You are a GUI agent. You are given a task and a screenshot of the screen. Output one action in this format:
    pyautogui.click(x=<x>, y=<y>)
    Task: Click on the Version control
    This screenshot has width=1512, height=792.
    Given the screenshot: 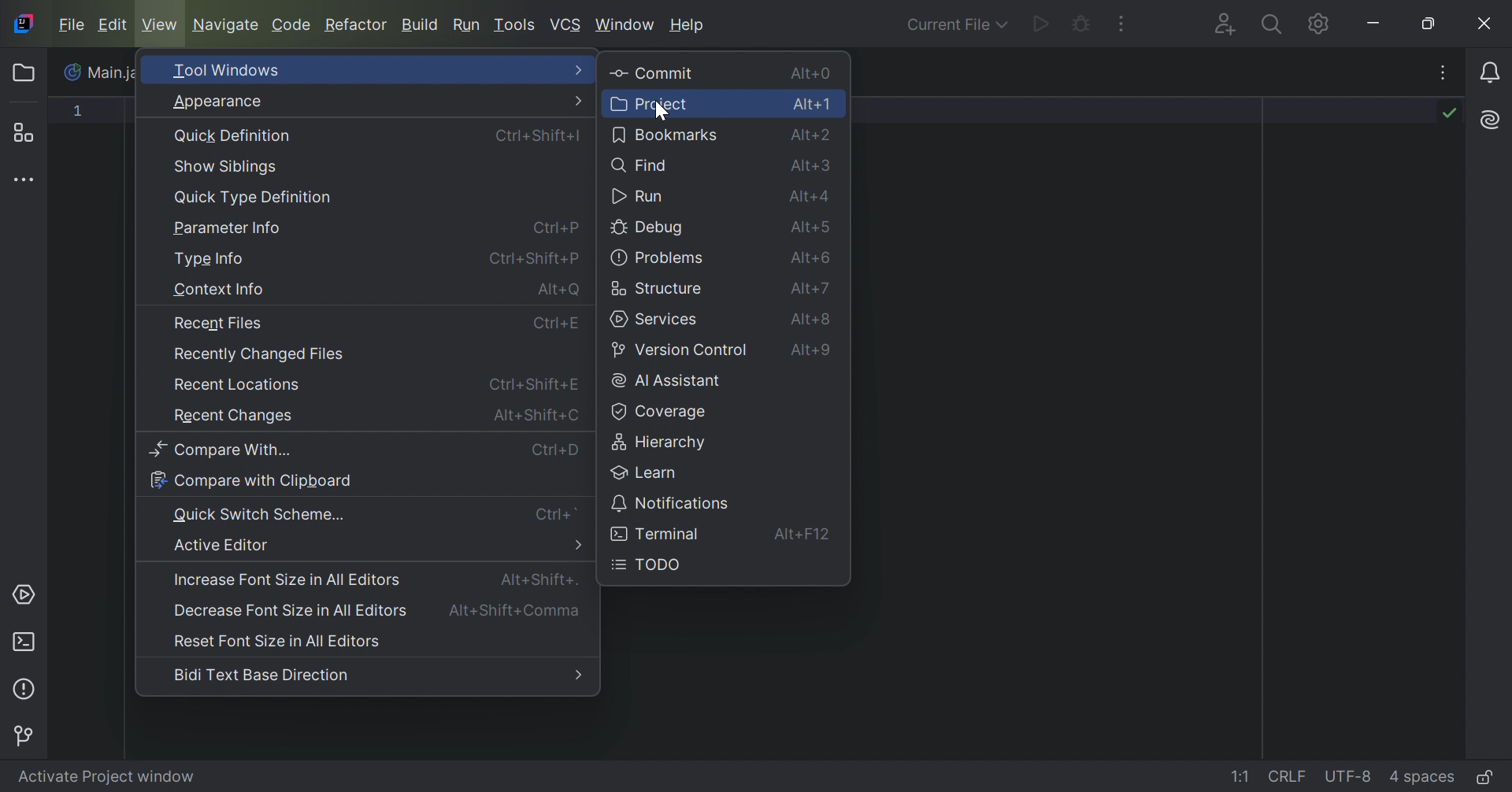 What is the action you would take?
    pyautogui.click(x=28, y=734)
    